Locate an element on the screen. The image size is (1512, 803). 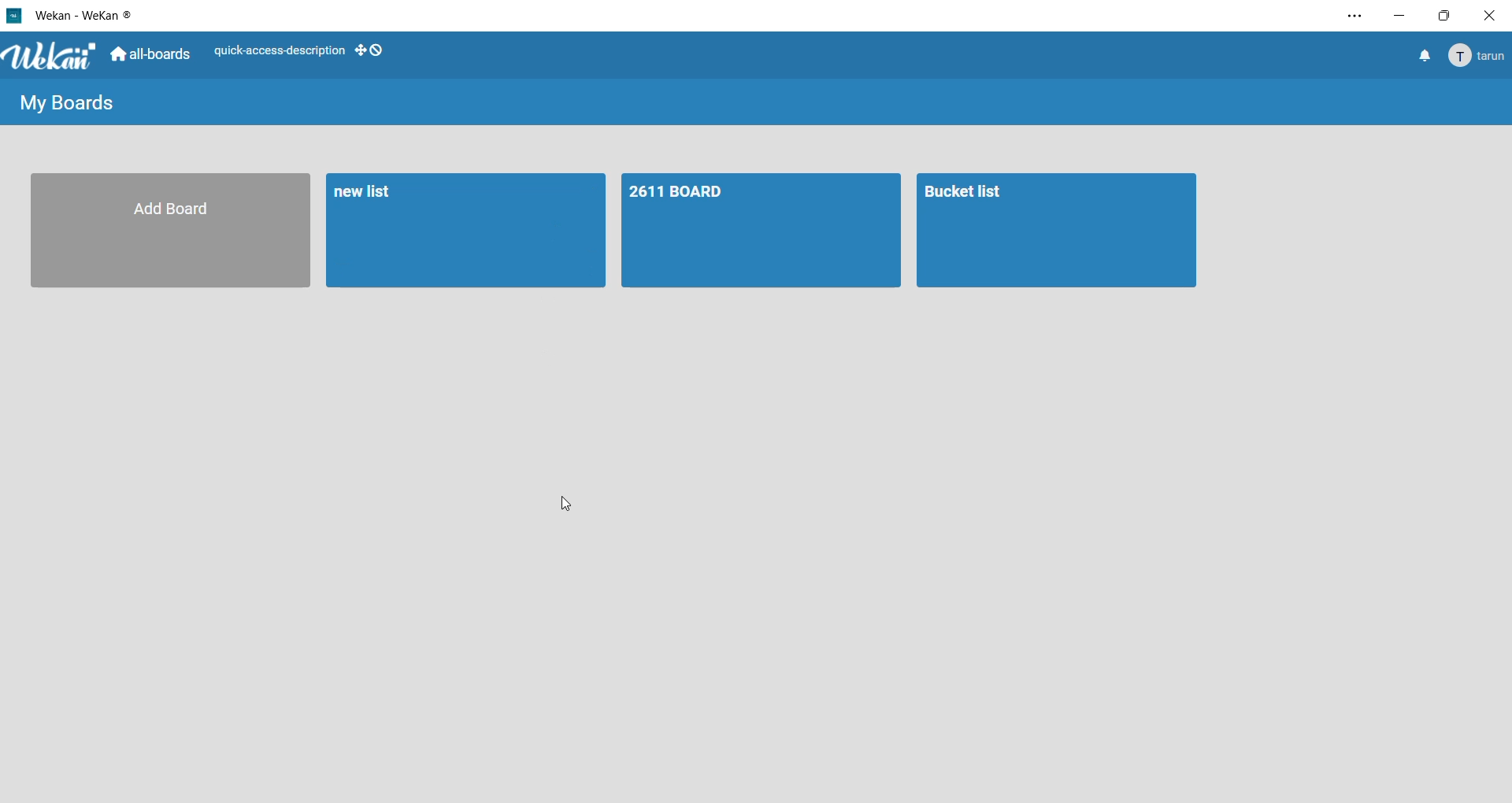
my boards is located at coordinates (69, 105).